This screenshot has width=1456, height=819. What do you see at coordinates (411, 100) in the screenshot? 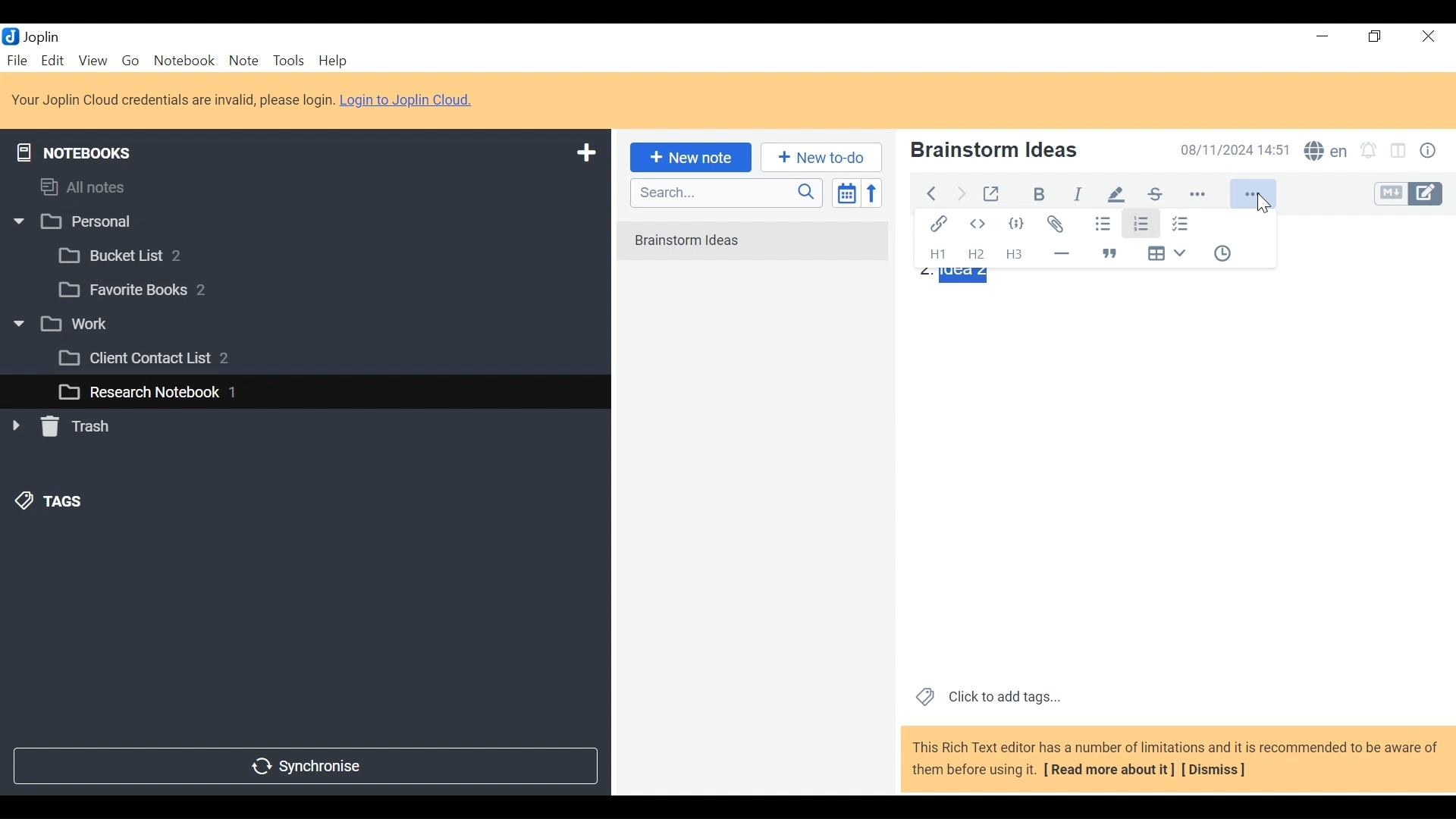
I see `Login to Joplin Cloud` at bounding box center [411, 100].